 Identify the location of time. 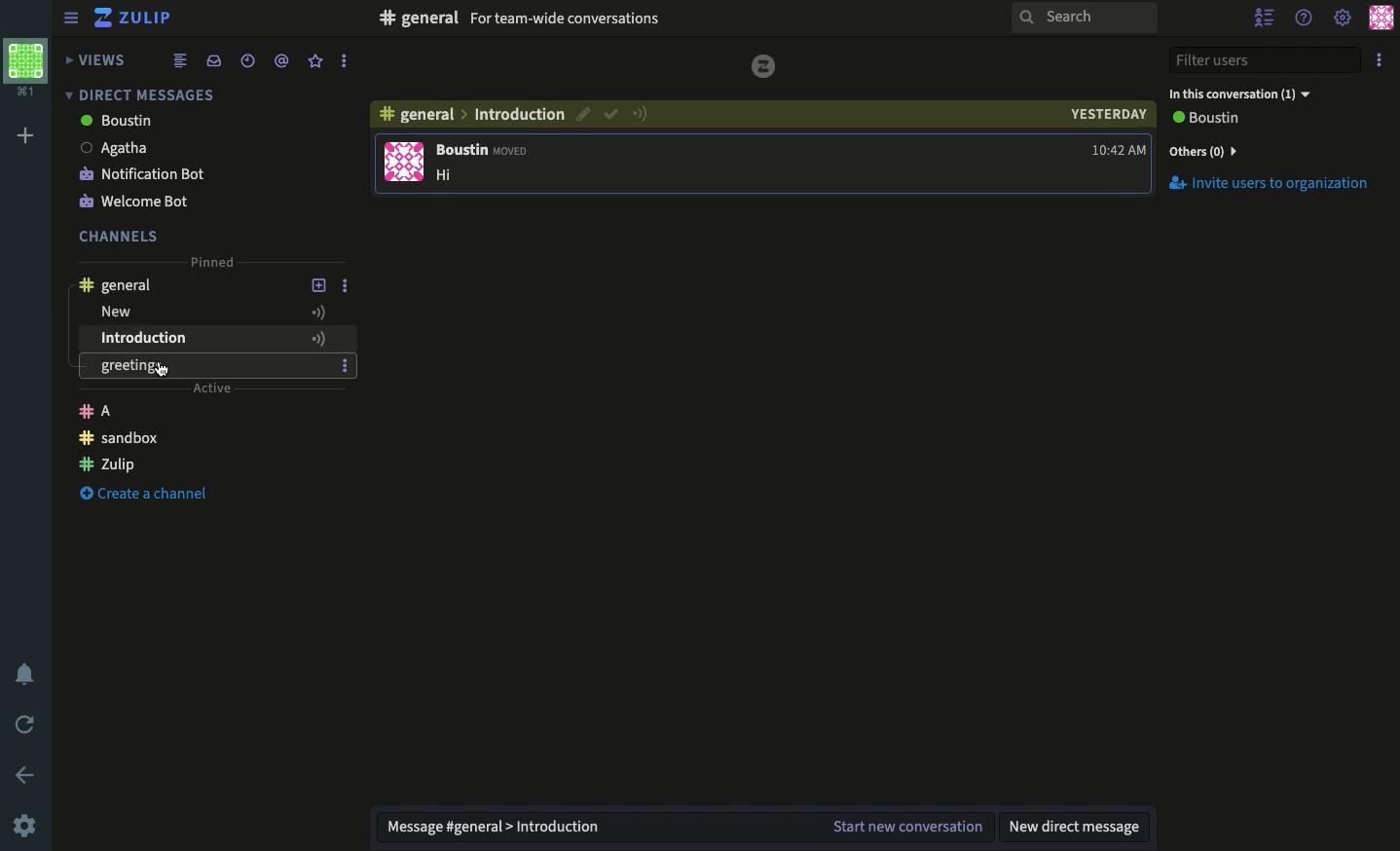
(1119, 150).